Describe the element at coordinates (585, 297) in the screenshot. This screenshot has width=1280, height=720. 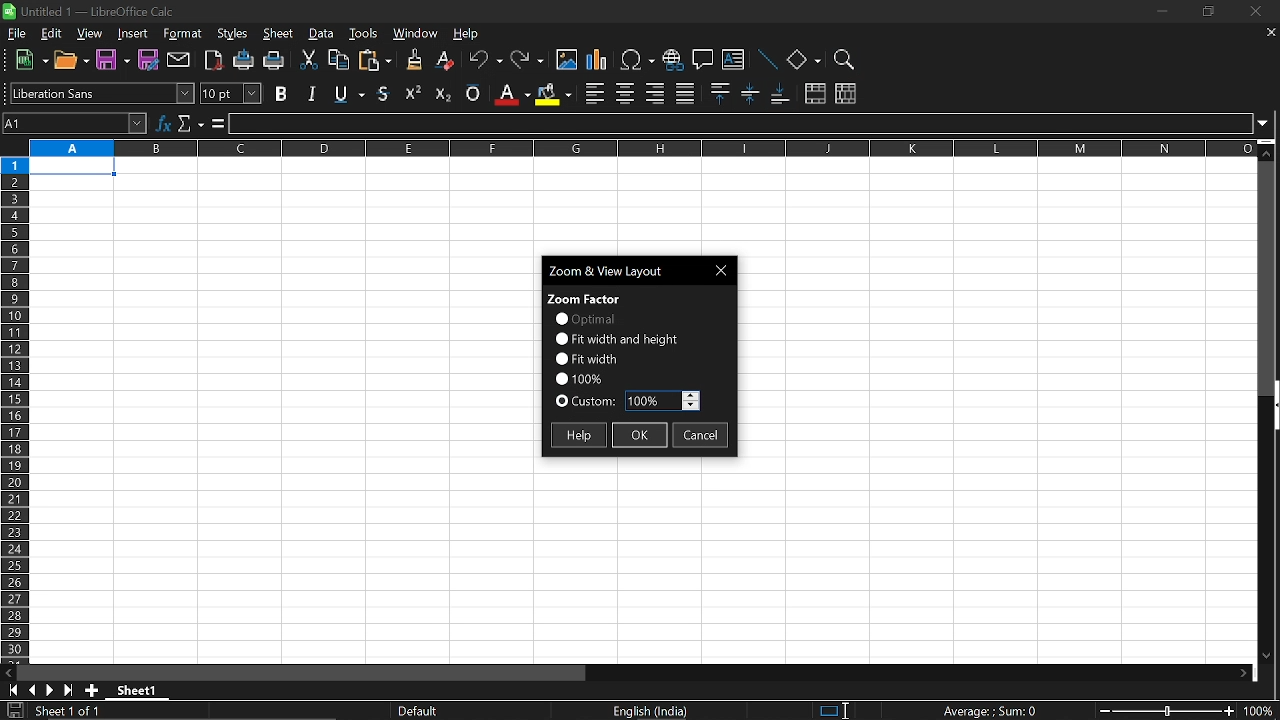
I see `zoom factor` at that location.